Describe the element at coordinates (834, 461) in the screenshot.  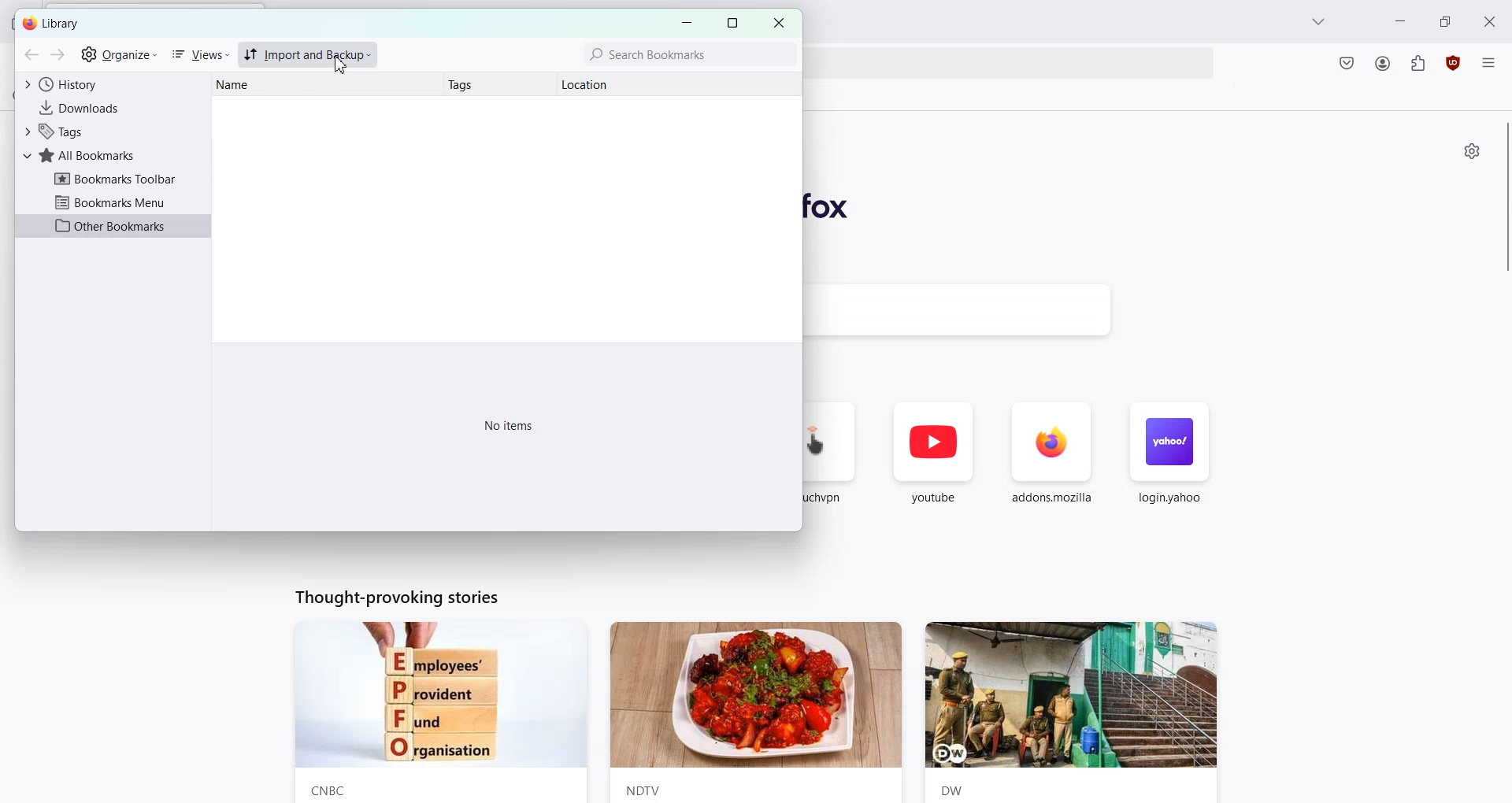
I see `touch.vpn` at that location.